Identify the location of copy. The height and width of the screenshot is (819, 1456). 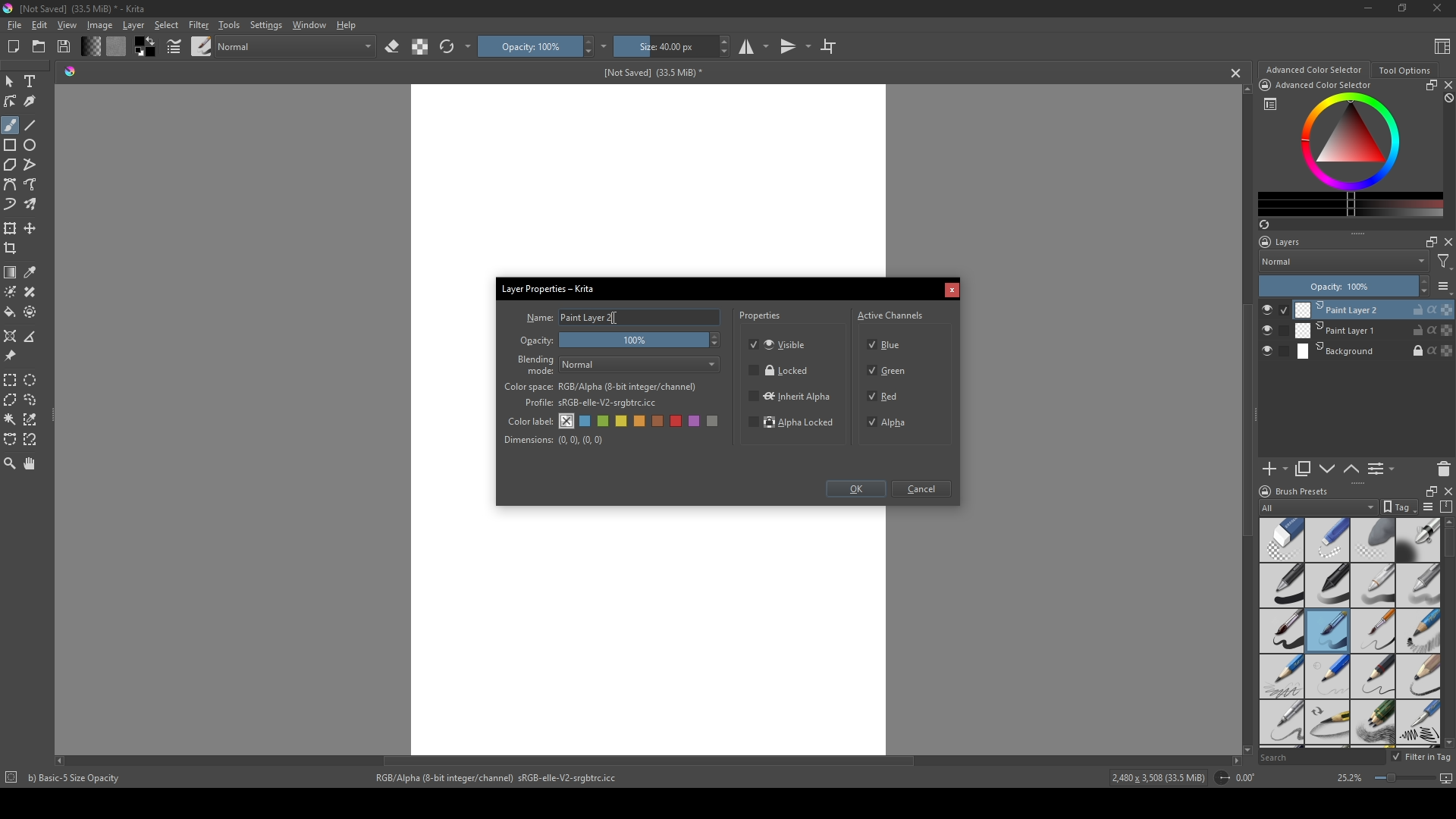
(1304, 469).